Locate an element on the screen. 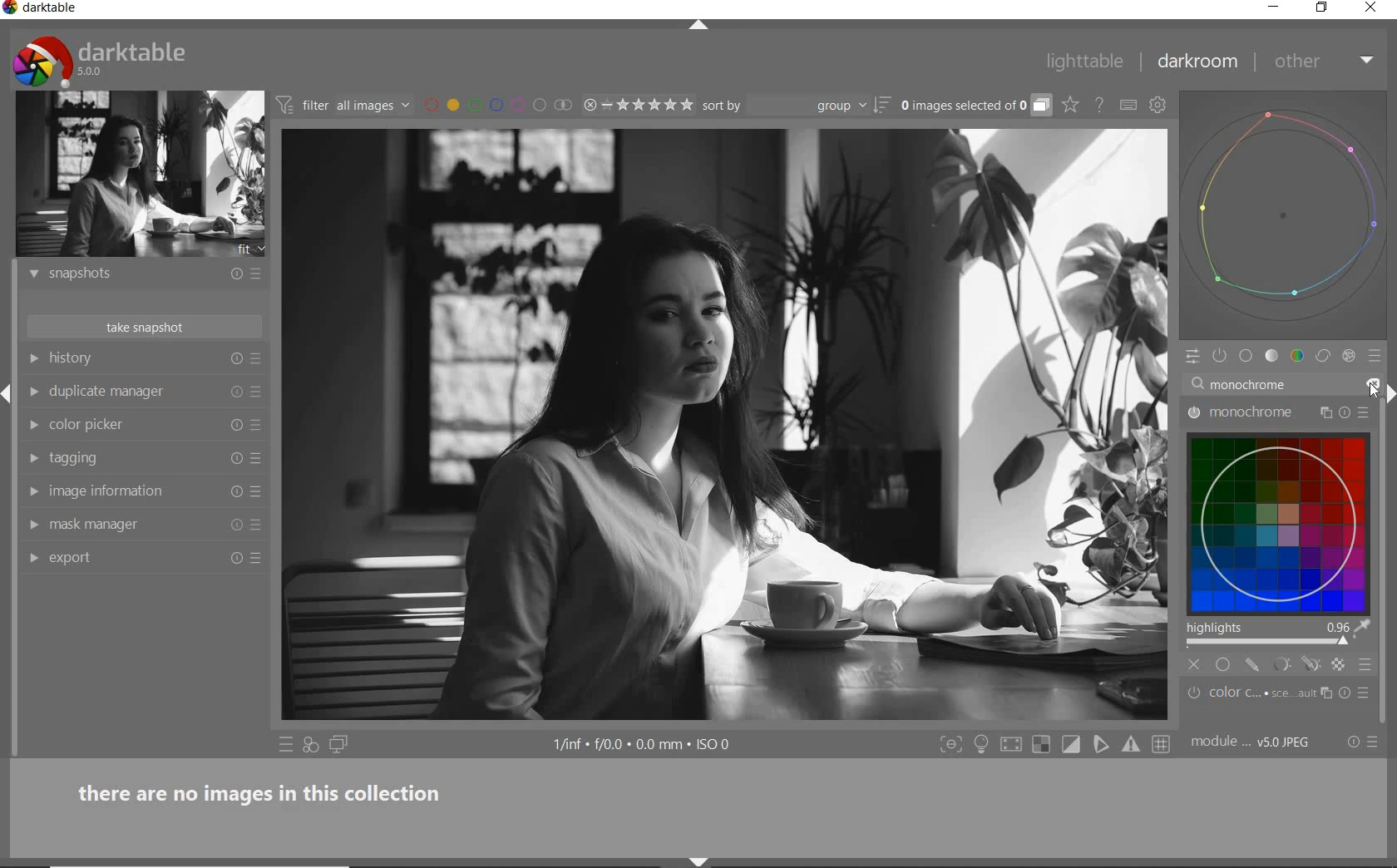 Image resolution: width=1397 pixels, height=868 pixels. Expand/Collapse is located at coordinates (1389, 400).